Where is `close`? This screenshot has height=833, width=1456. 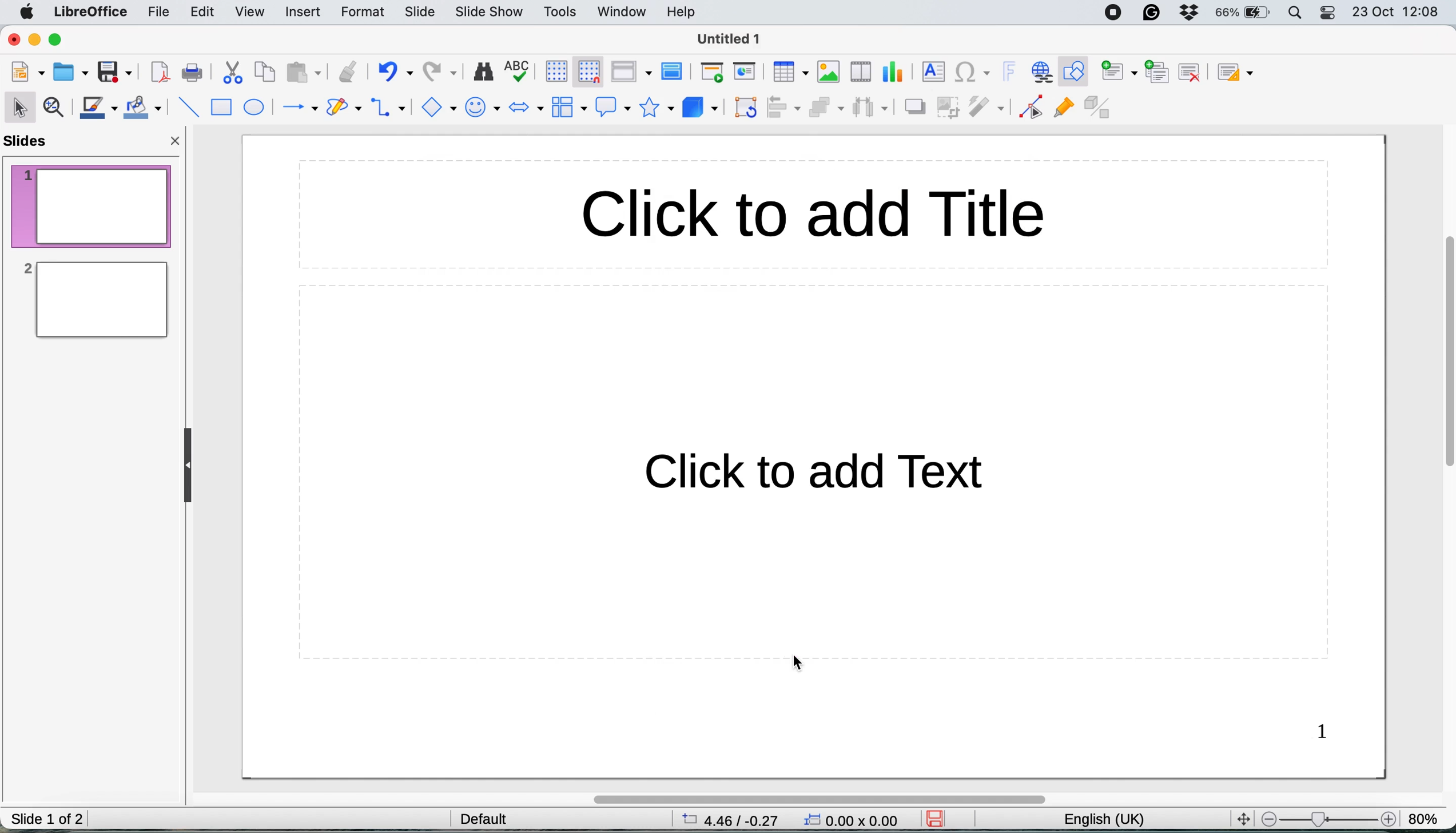 close is located at coordinates (14, 39).